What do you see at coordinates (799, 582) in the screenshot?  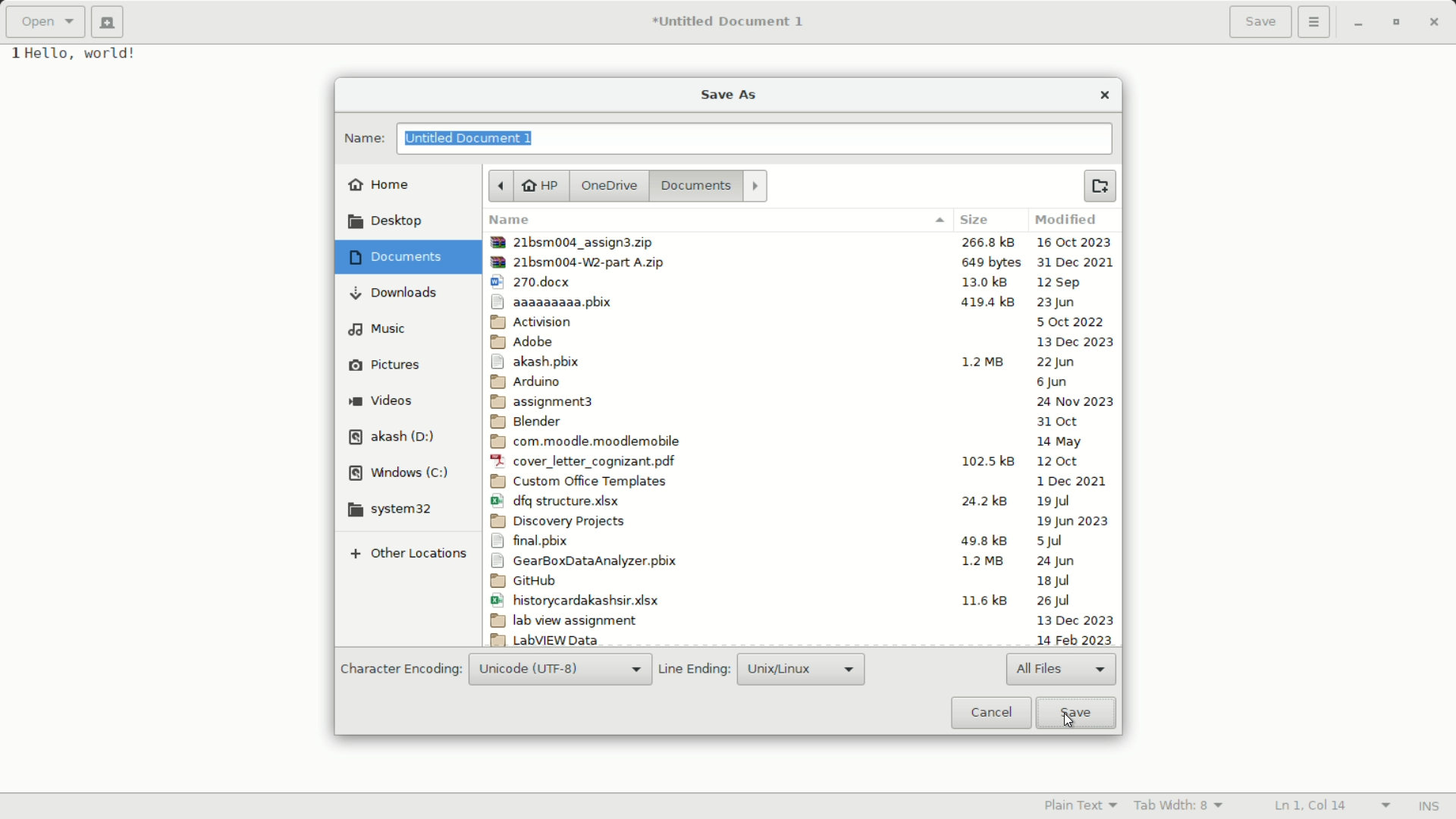 I see `File` at bounding box center [799, 582].